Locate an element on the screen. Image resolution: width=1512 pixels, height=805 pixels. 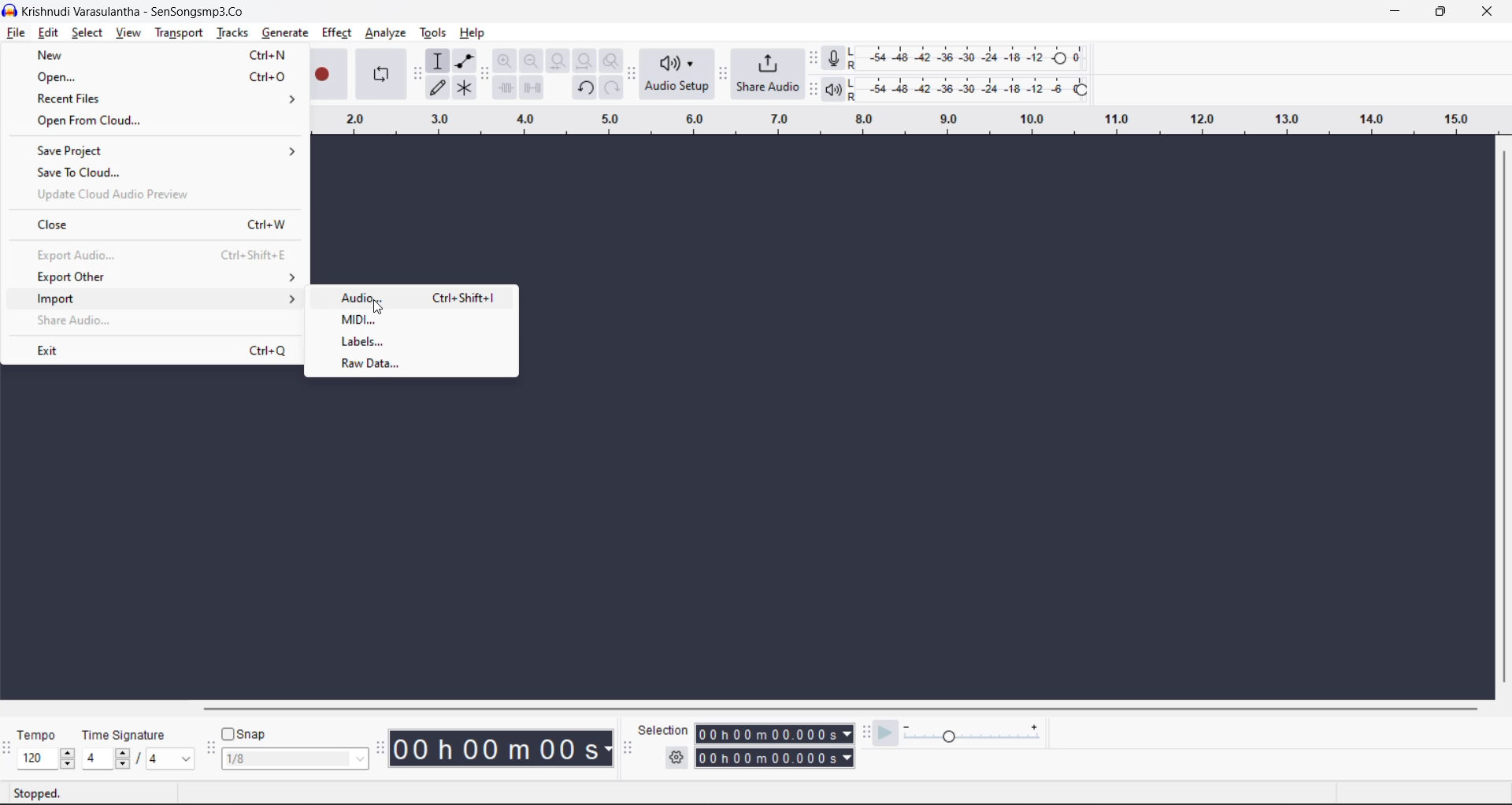
speed selector is located at coordinates (46, 759).